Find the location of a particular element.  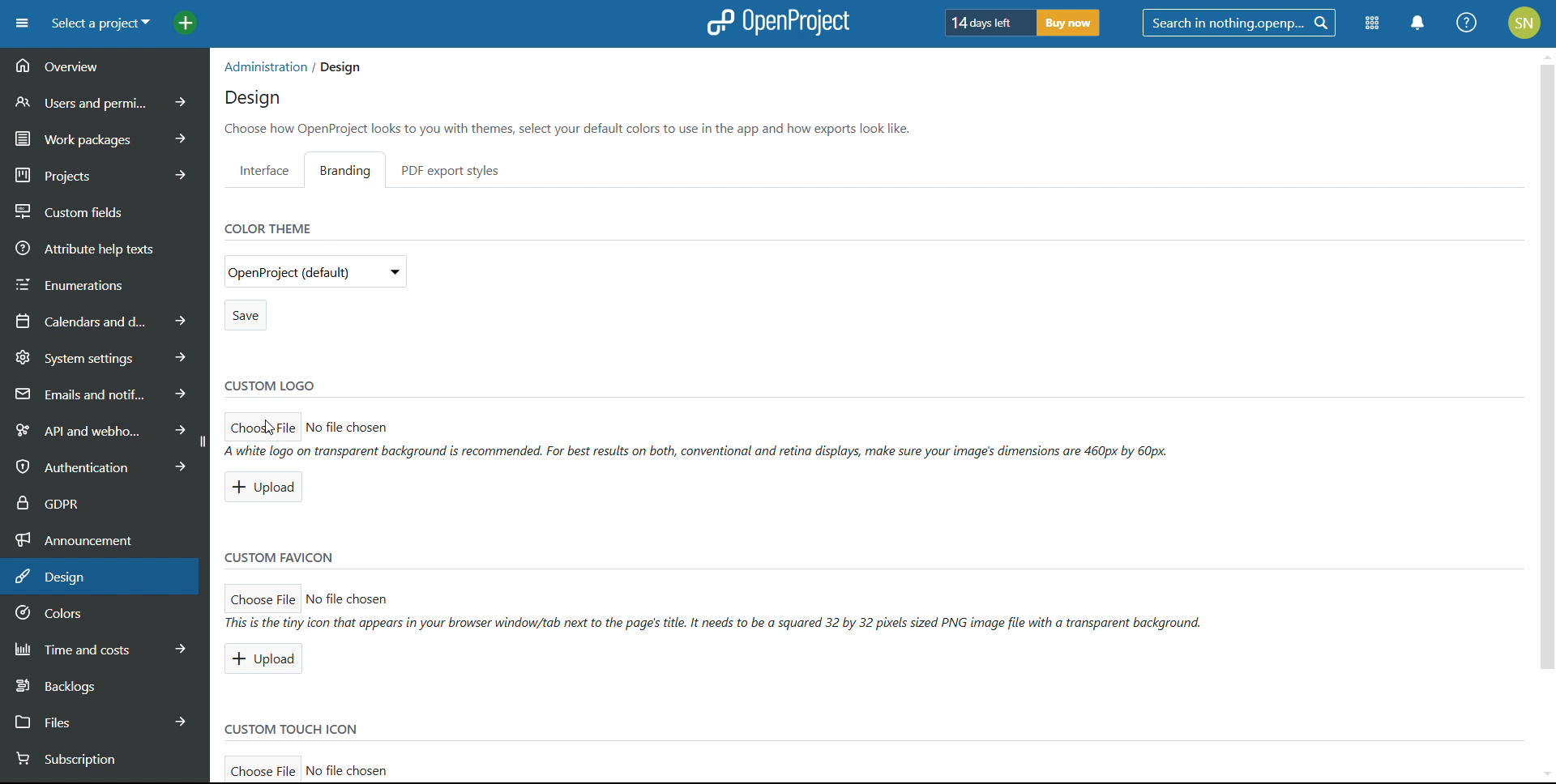

branding setting selected is located at coordinates (350, 170).